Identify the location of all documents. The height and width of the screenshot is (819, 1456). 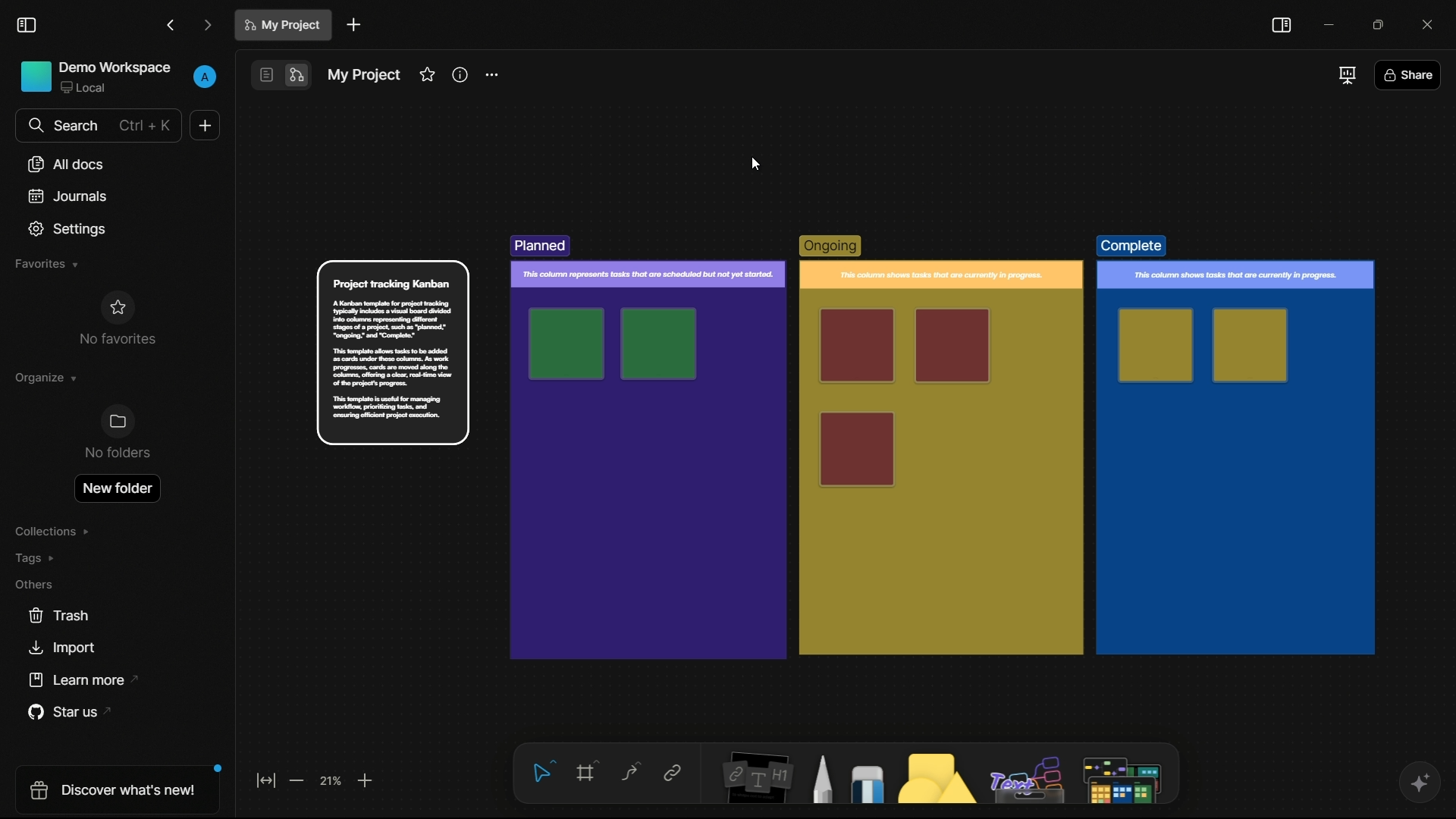
(67, 164).